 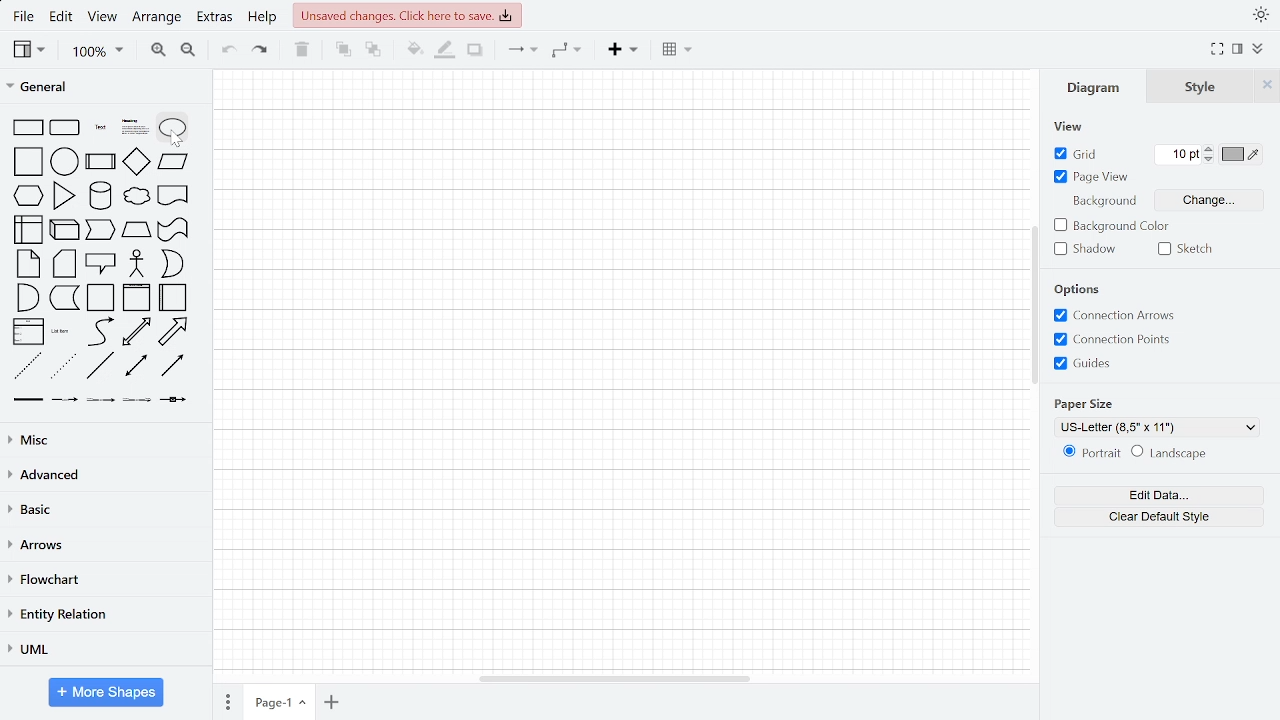 I want to click on directional connector, so click(x=174, y=366).